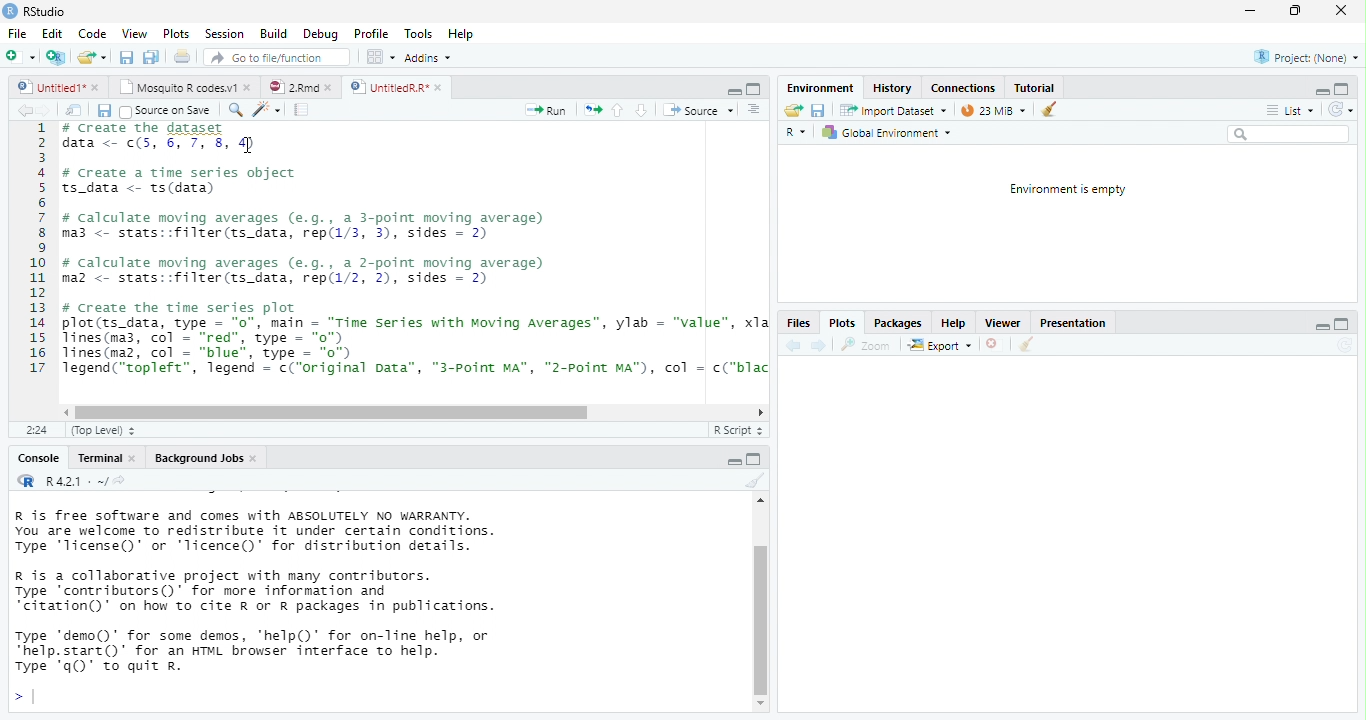 The image size is (1366, 720). What do you see at coordinates (797, 324) in the screenshot?
I see `Files` at bounding box center [797, 324].